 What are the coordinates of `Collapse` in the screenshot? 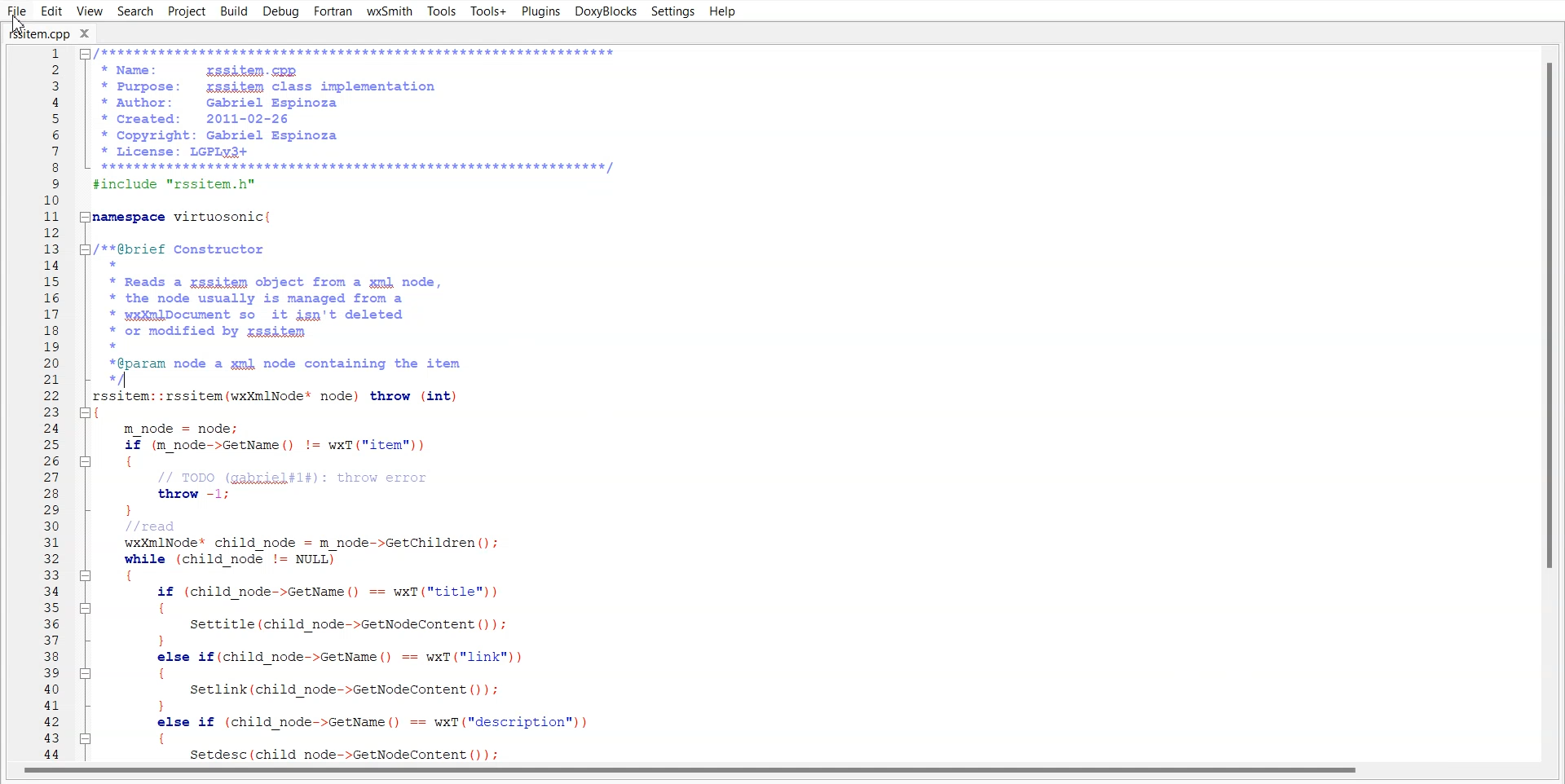 It's located at (86, 217).